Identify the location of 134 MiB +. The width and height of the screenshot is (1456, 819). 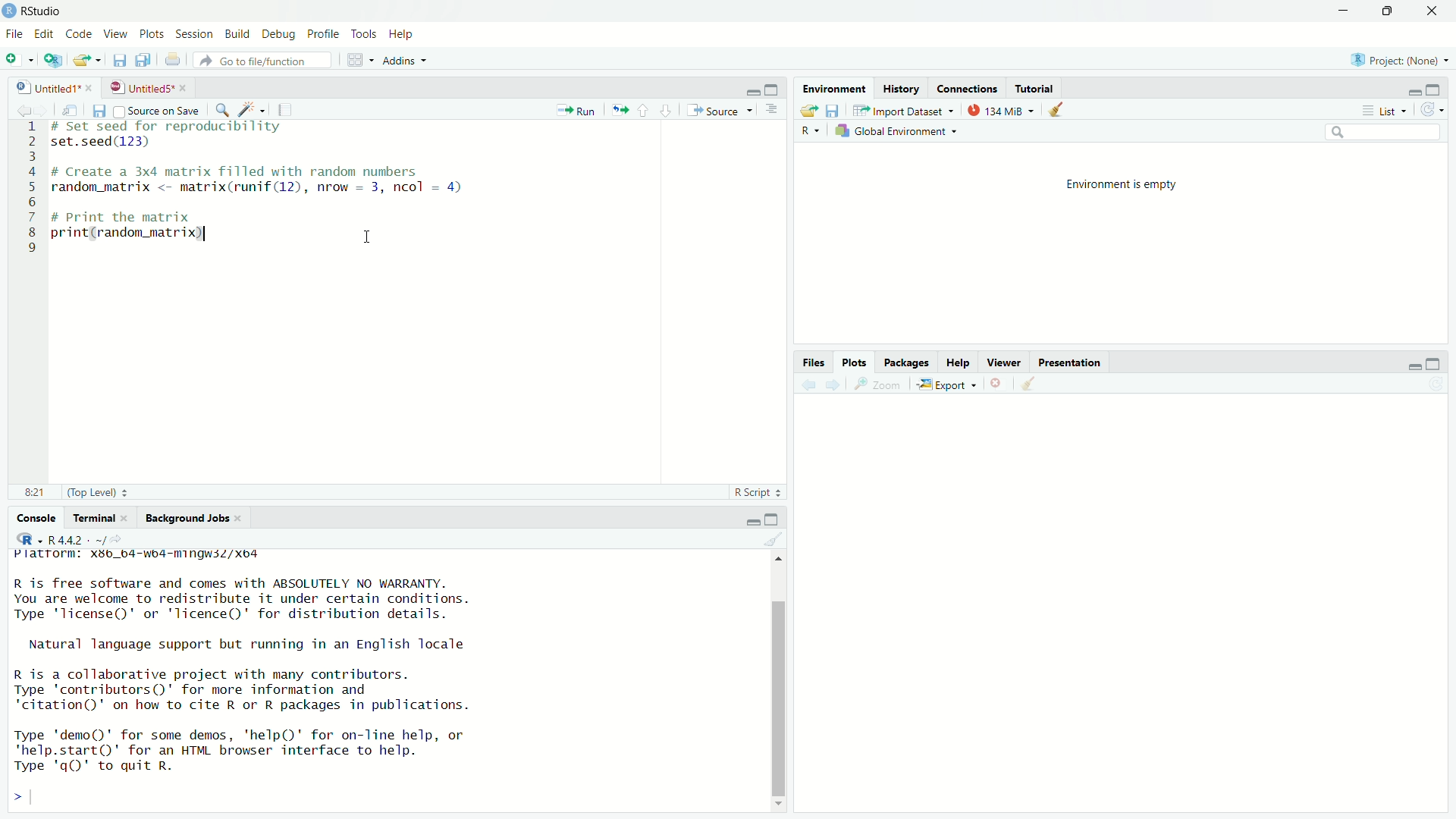
(1003, 111).